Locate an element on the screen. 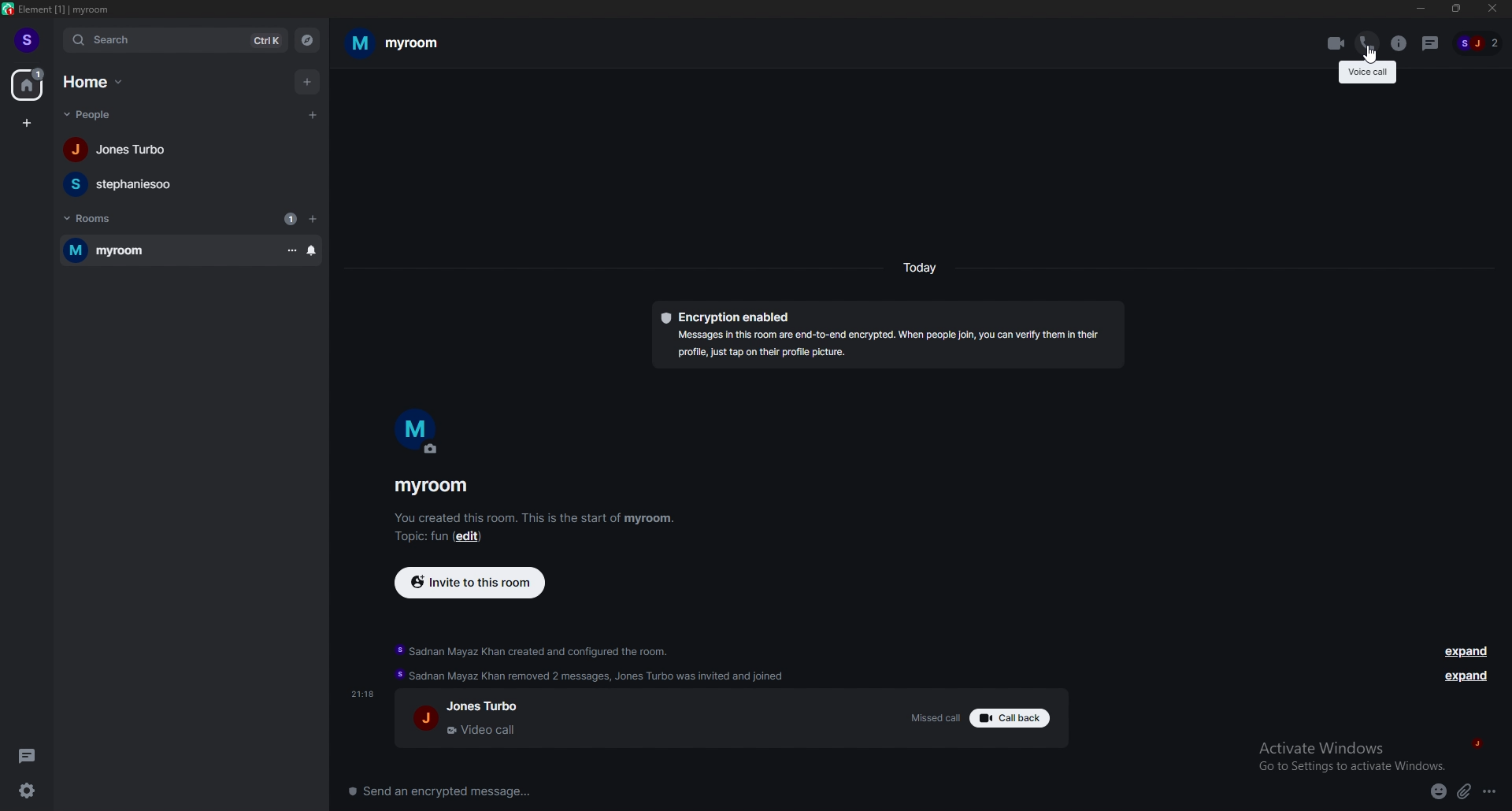 The width and height of the screenshot is (1512, 811). 21:18 is located at coordinates (364, 693).